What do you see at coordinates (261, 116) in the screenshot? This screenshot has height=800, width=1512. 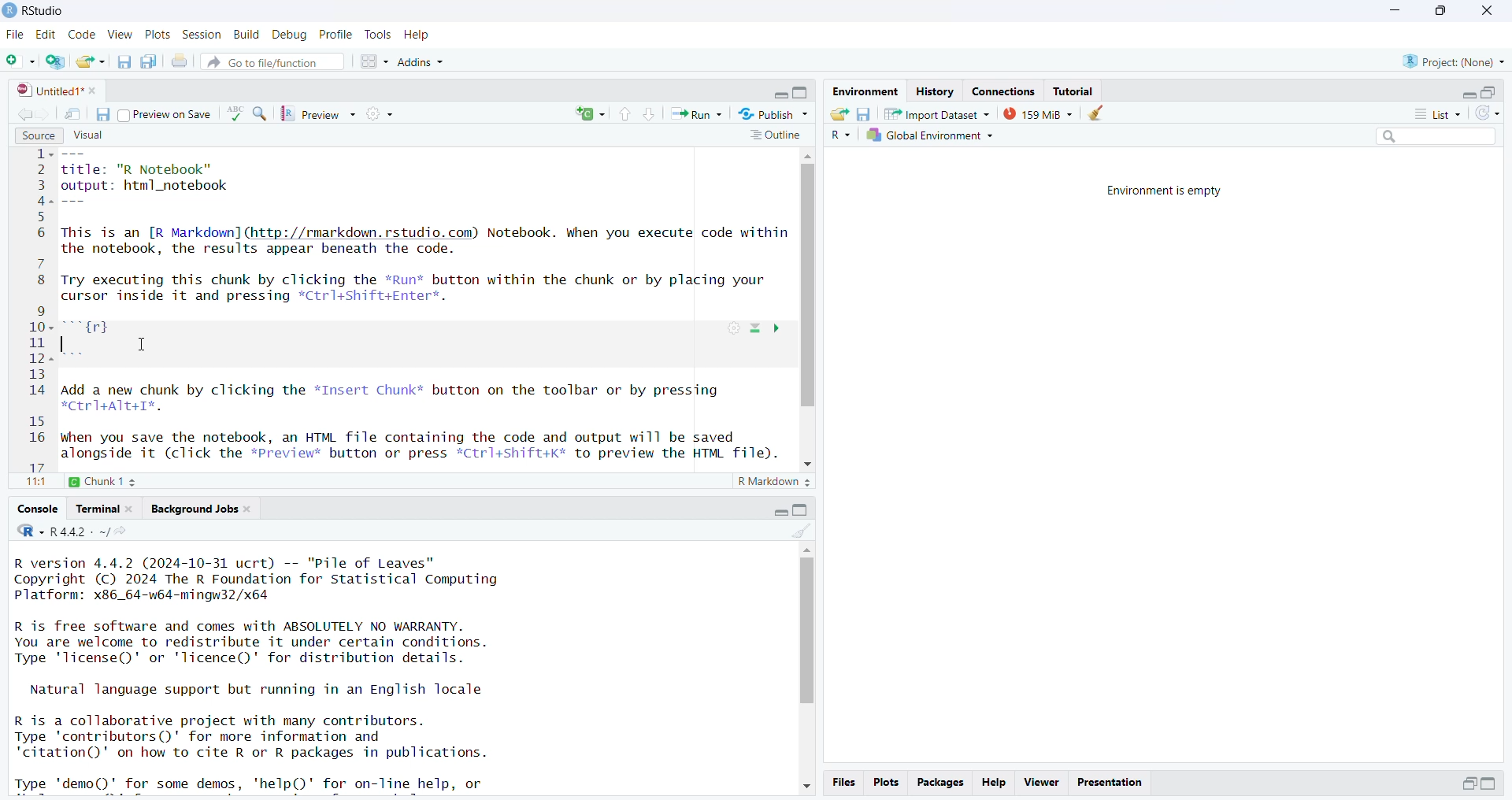 I see `find/replace` at bounding box center [261, 116].